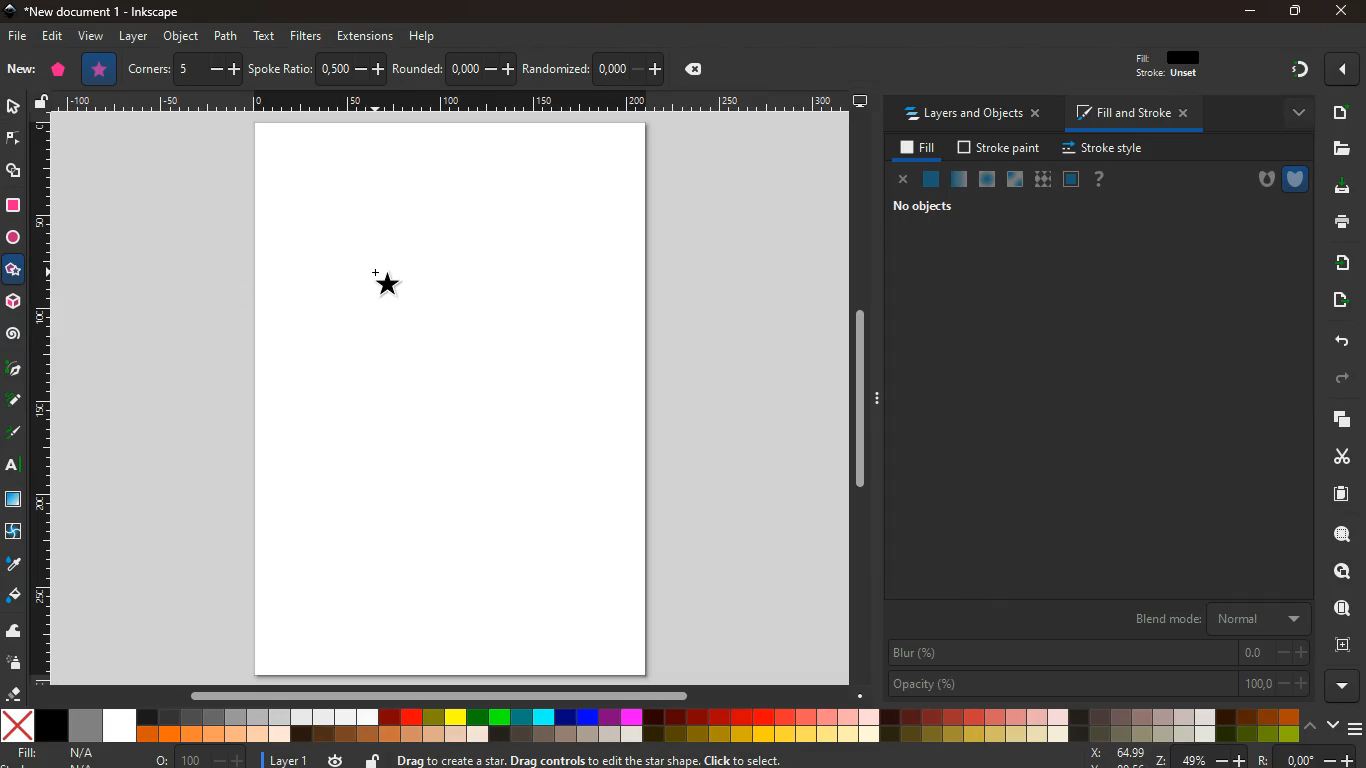 The image size is (1366, 768). I want to click on spoke ratio, so click(317, 68).